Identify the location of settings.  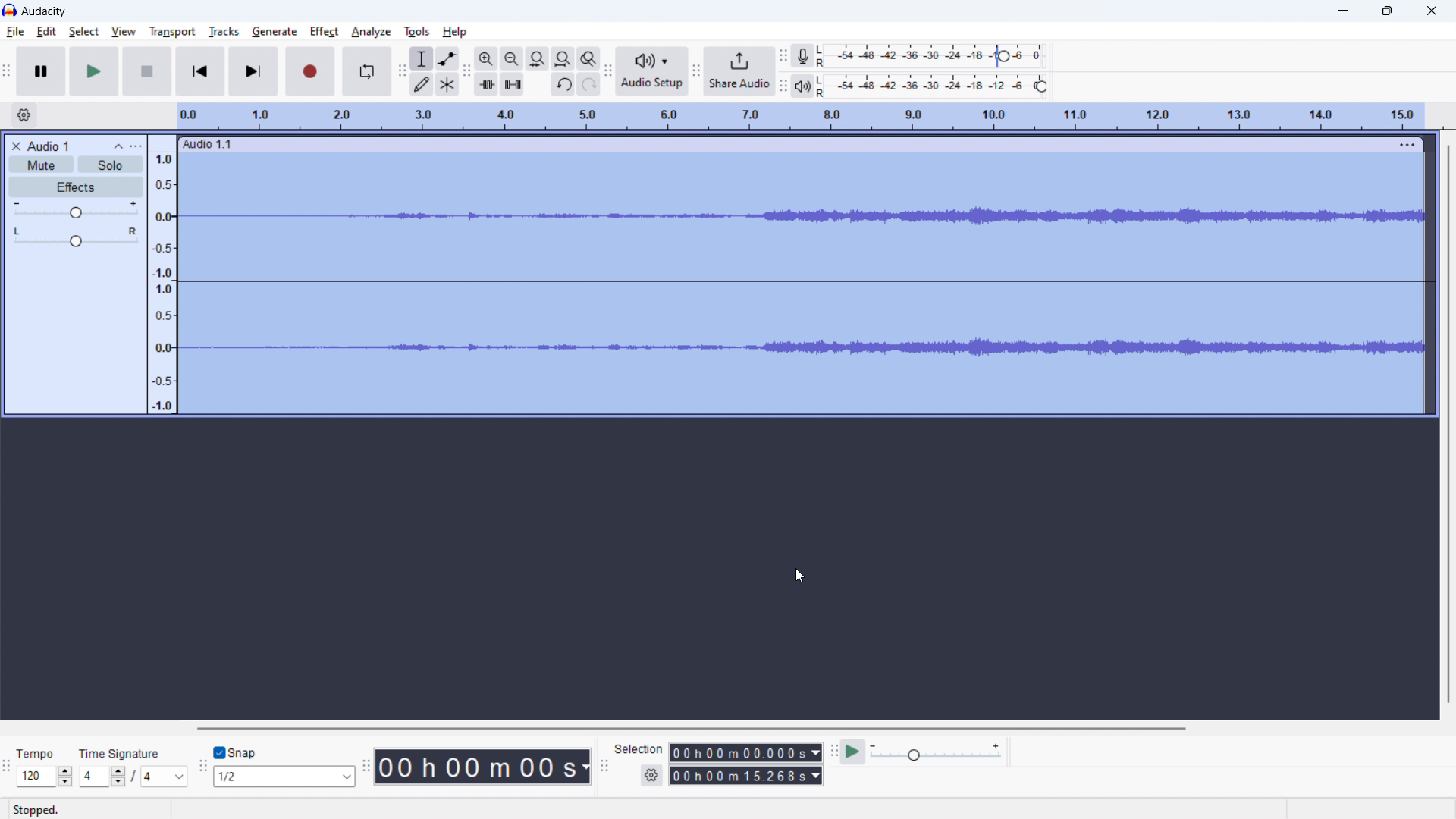
(651, 776).